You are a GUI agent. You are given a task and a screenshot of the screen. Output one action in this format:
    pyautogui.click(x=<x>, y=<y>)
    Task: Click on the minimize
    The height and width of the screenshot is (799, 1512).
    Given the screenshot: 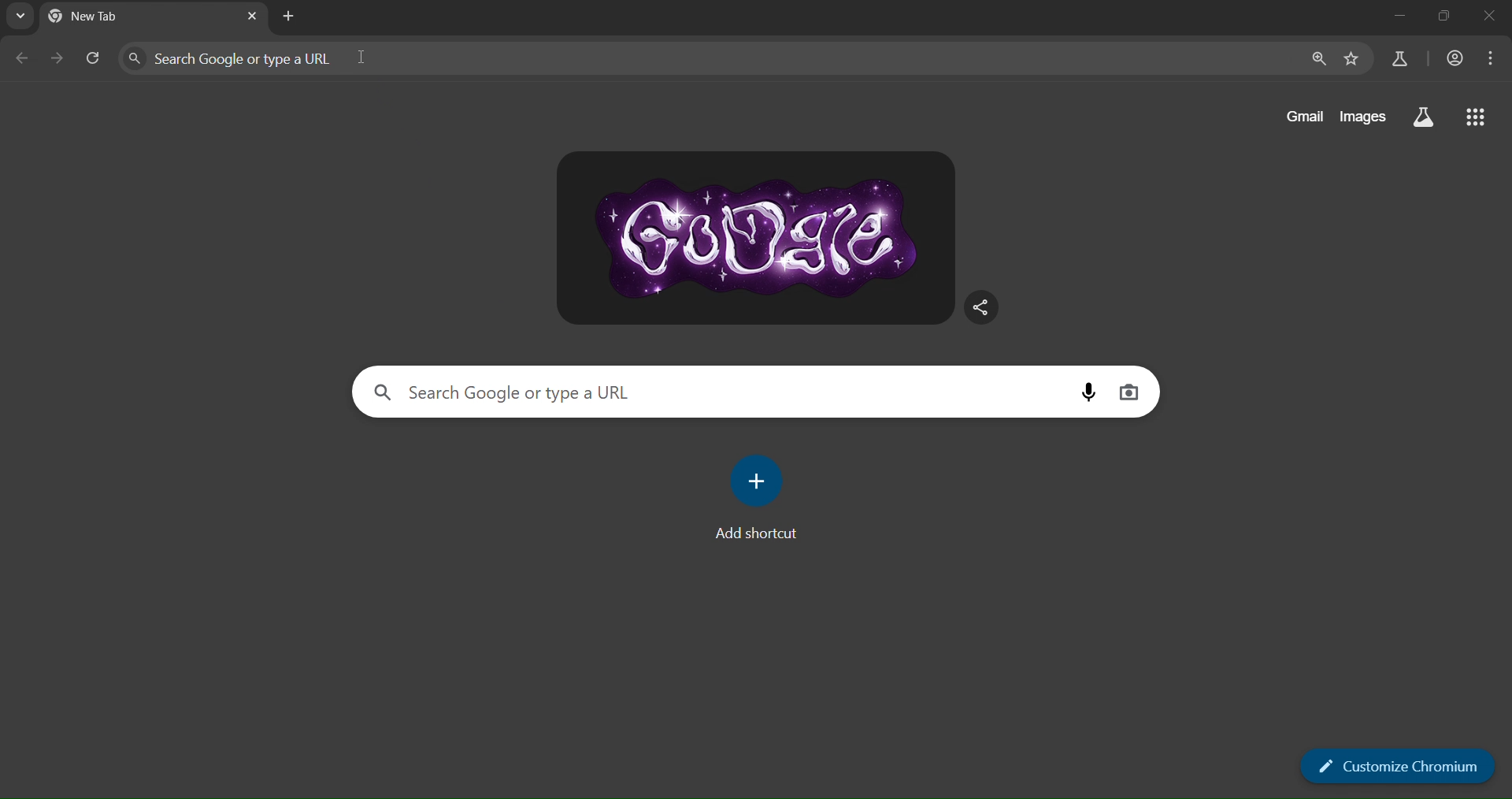 What is the action you would take?
    pyautogui.click(x=1396, y=20)
    